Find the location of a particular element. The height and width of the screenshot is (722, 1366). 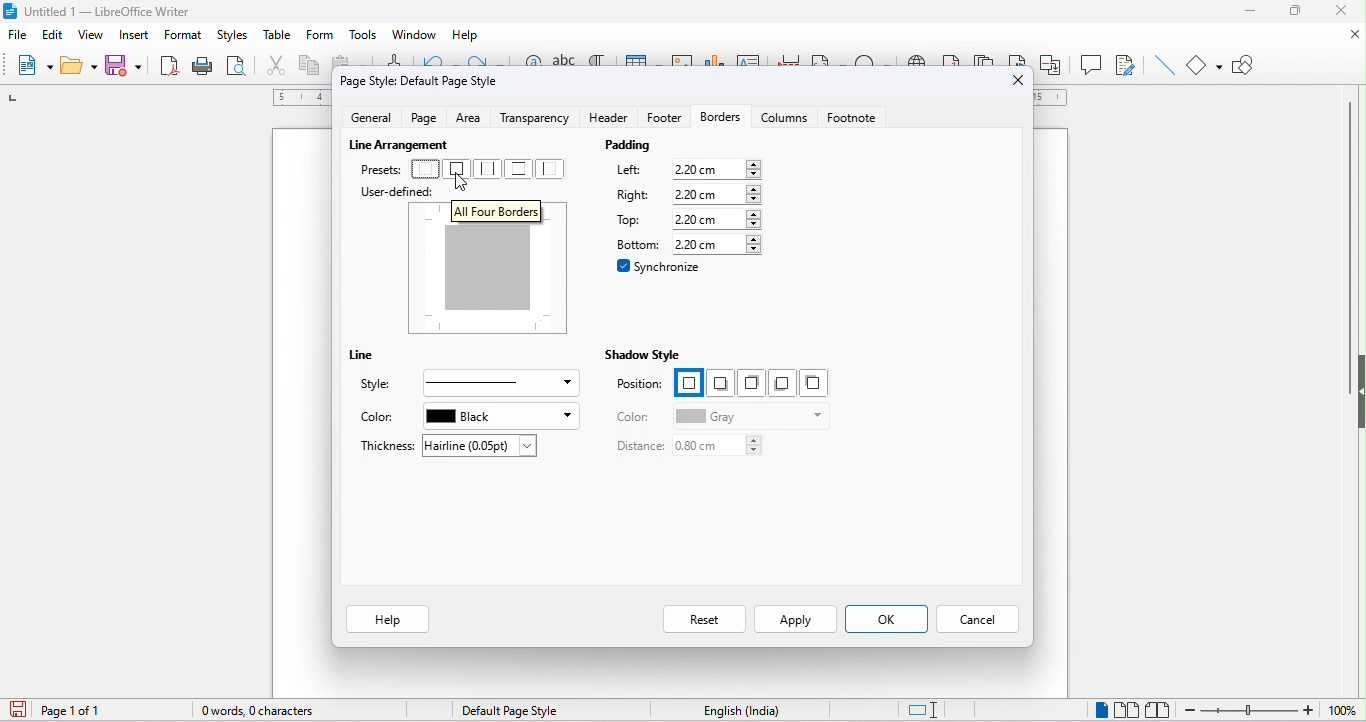

comment is located at coordinates (1092, 64).